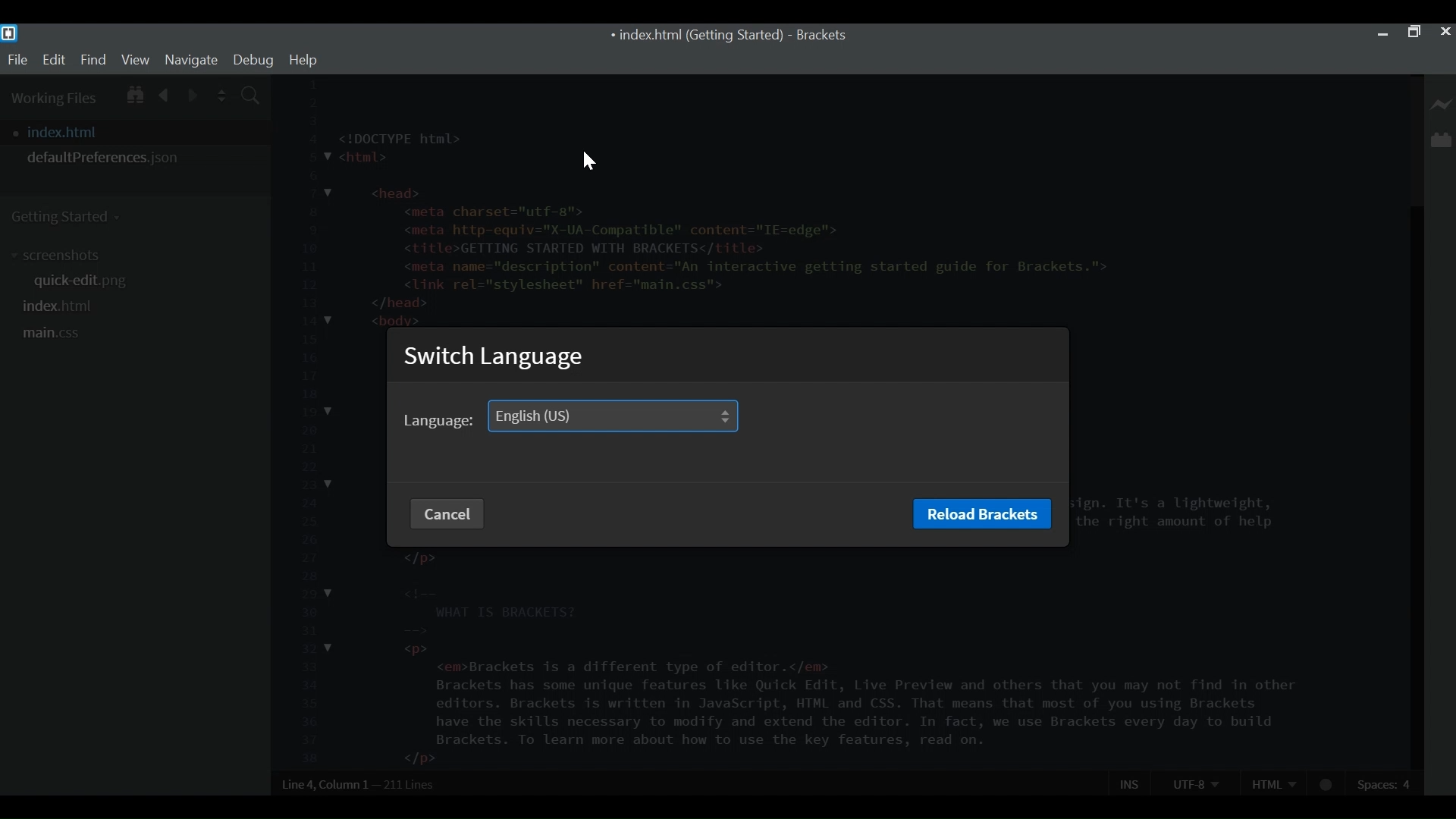 The width and height of the screenshot is (1456, 819). What do you see at coordinates (53, 60) in the screenshot?
I see `Edit` at bounding box center [53, 60].